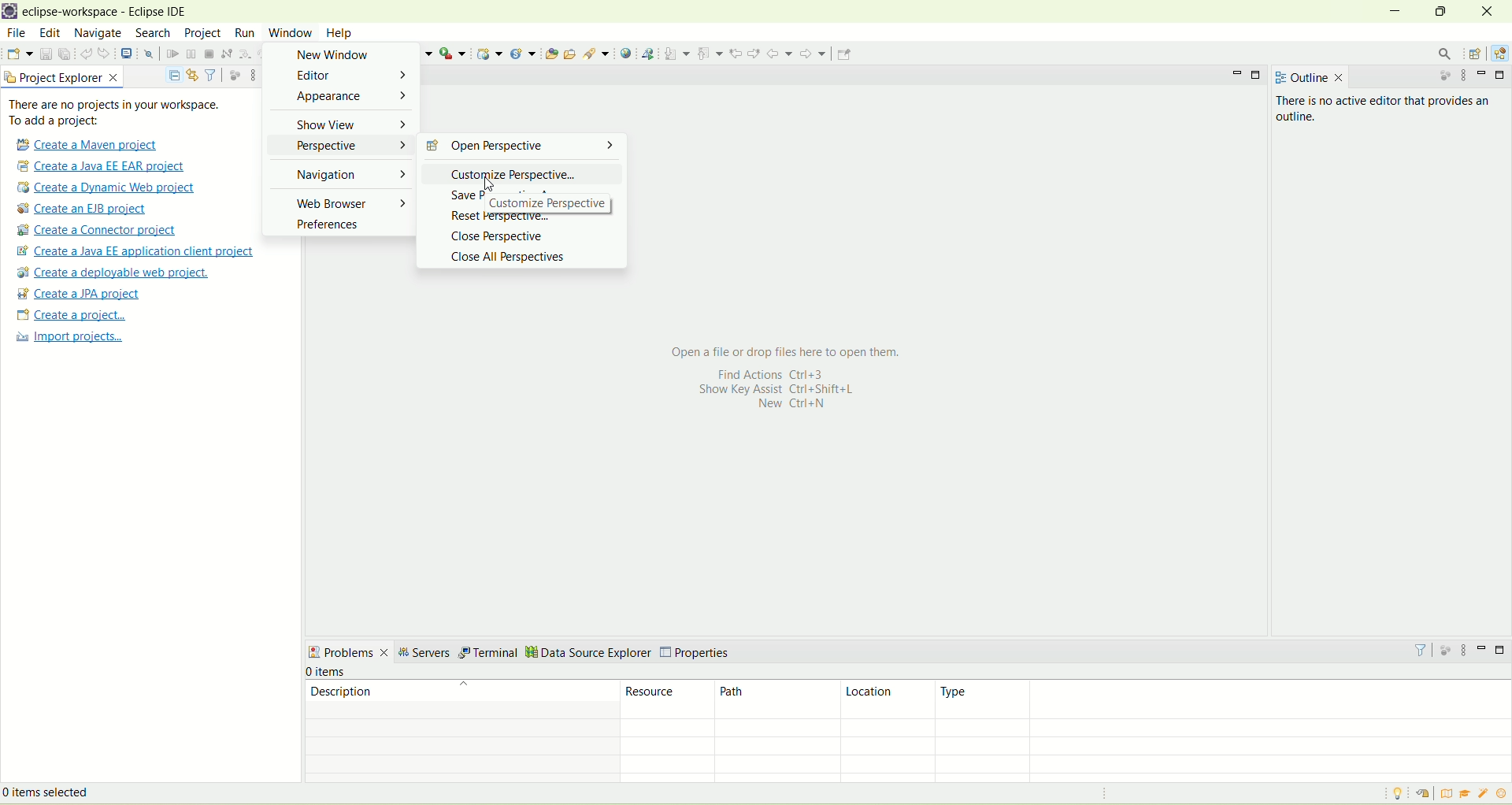 The width and height of the screenshot is (1512, 805). I want to click on navigation, so click(348, 178).